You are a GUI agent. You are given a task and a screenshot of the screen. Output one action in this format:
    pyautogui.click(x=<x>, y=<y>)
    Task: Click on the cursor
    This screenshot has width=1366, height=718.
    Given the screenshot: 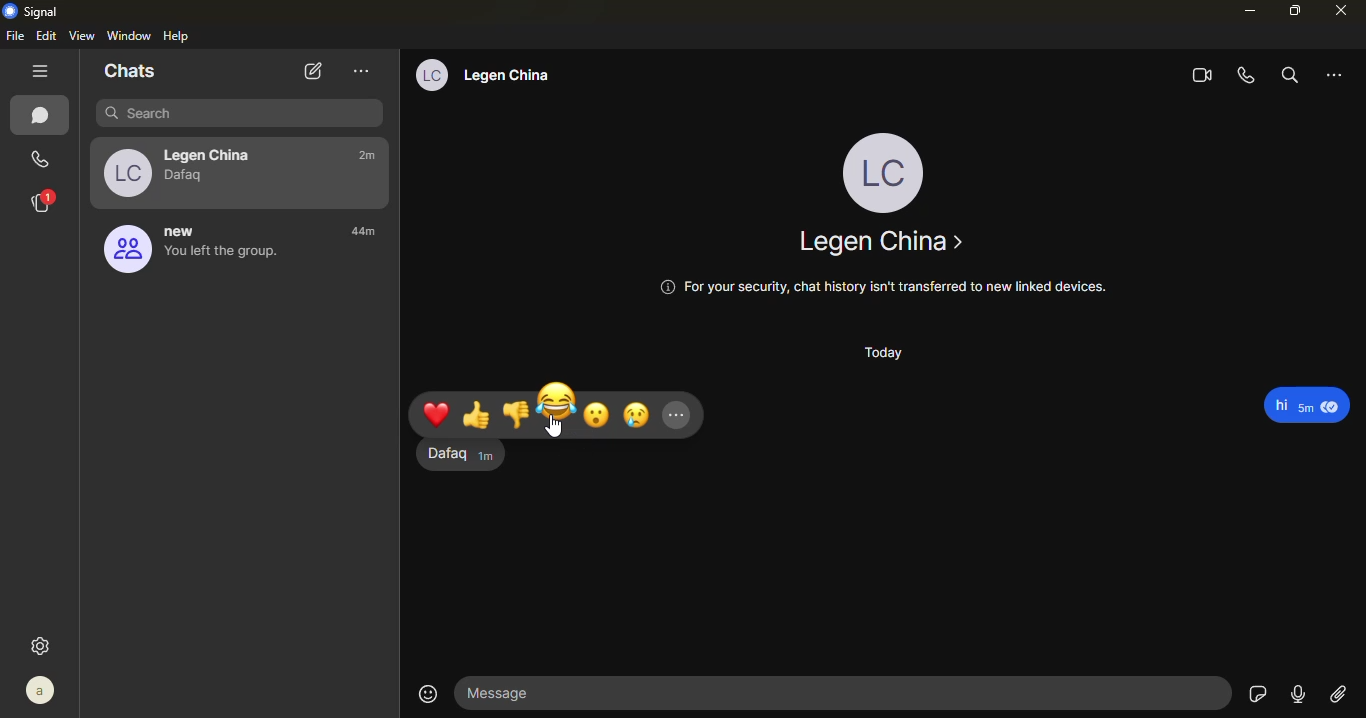 What is the action you would take?
    pyautogui.click(x=555, y=428)
    